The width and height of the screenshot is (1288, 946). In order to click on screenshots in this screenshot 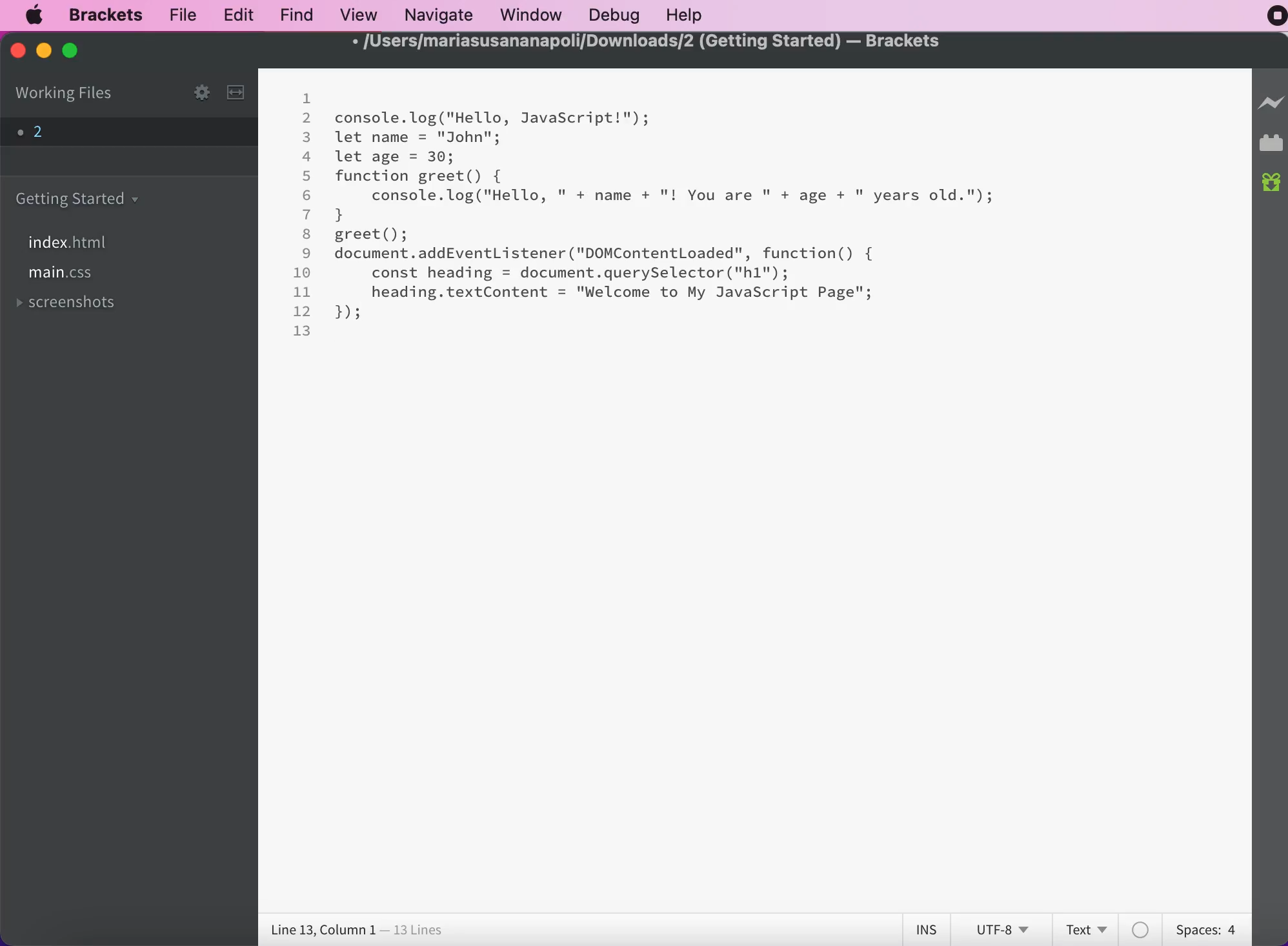, I will do `click(88, 303)`.